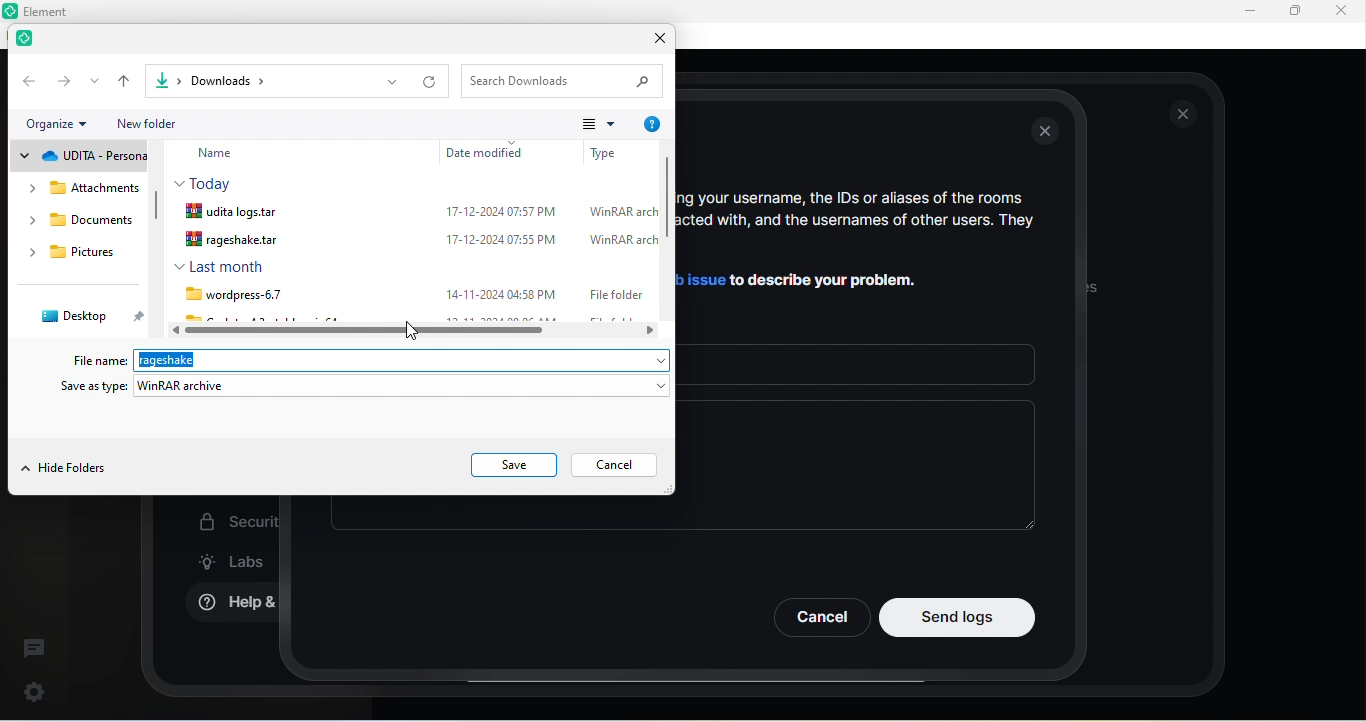 The width and height of the screenshot is (1366, 722). I want to click on desktop, so click(86, 316).